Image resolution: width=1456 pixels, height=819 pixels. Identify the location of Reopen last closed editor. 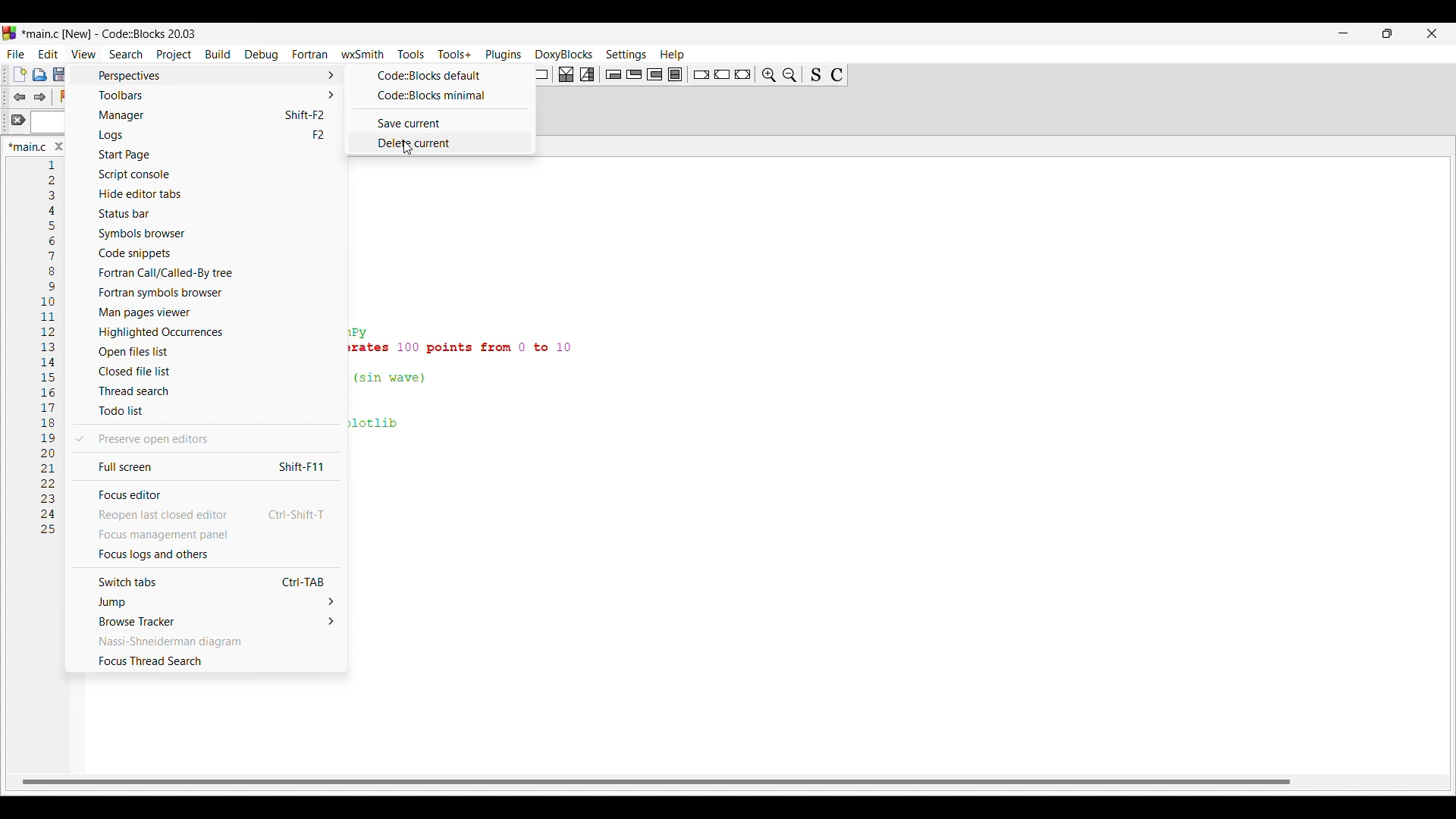
(206, 515).